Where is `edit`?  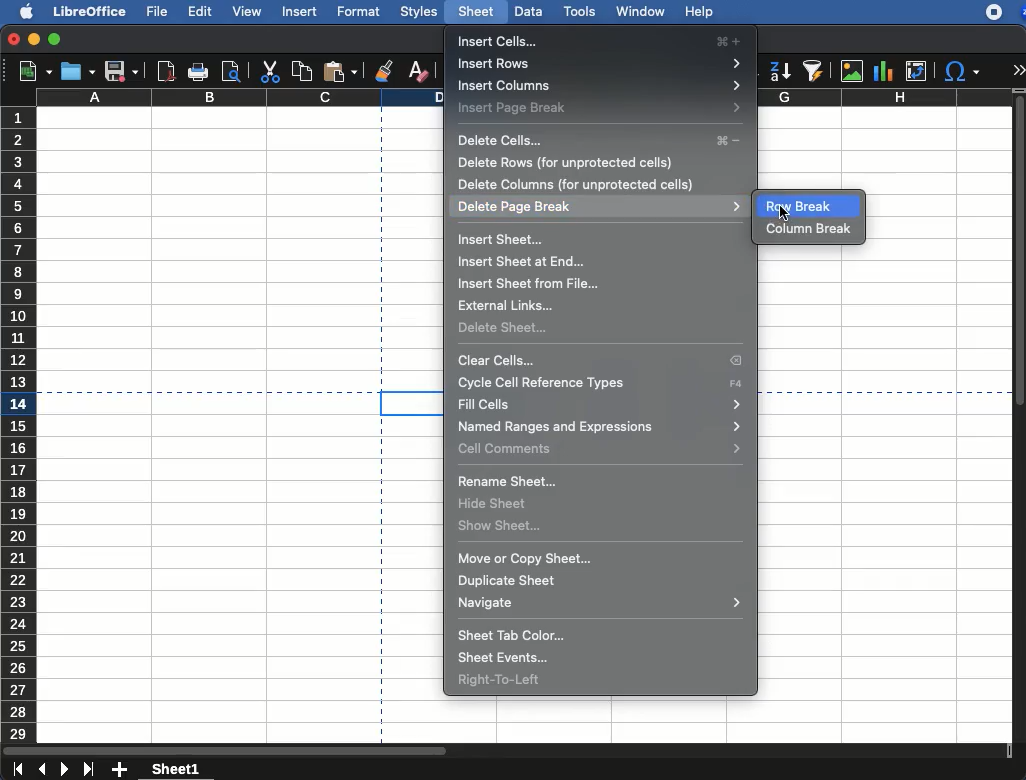
edit is located at coordinates (199, 12).